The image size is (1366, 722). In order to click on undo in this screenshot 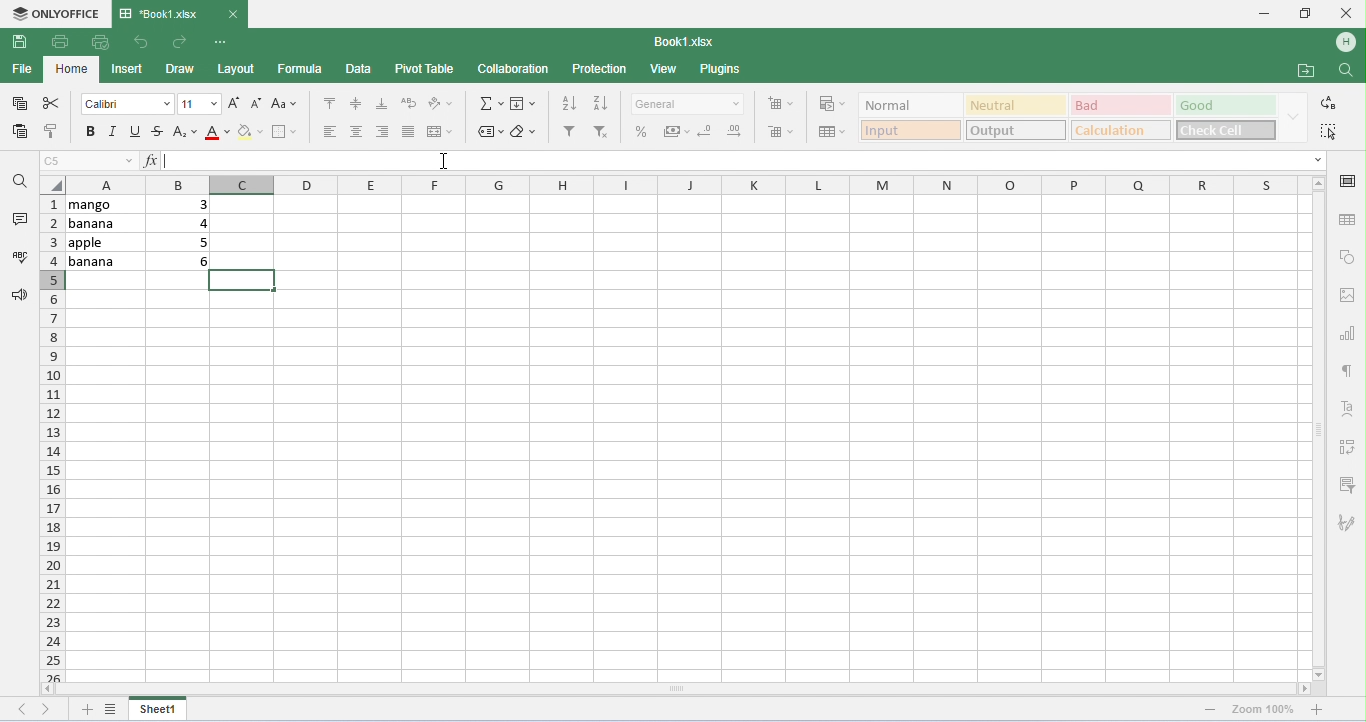, I will do `click(139, 42)`.